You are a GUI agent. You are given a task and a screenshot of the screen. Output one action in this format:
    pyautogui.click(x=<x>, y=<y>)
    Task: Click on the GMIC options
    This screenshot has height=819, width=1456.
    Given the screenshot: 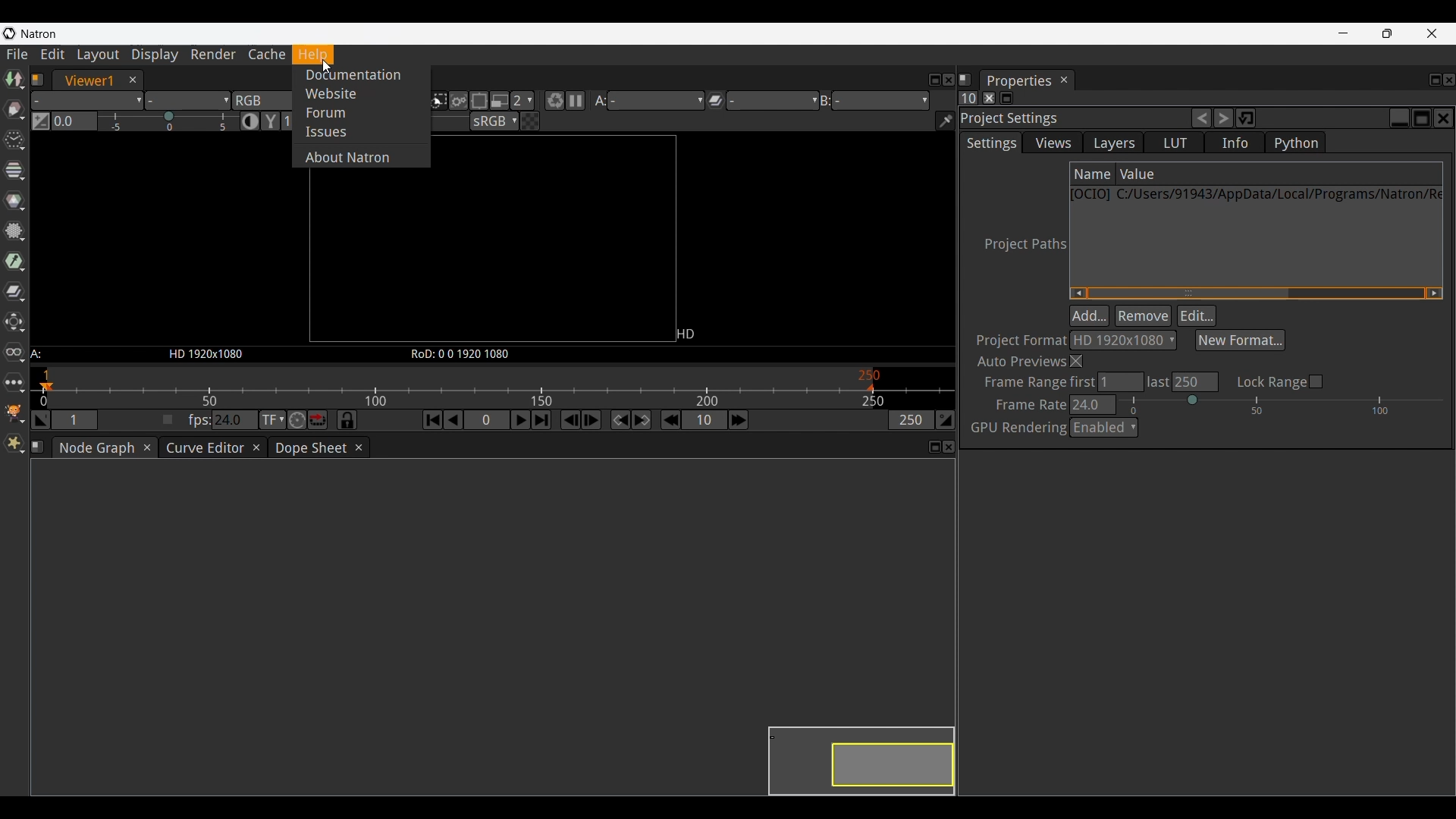 What is the action you would take?
    pyautogui.click(x=14, y=413)
    